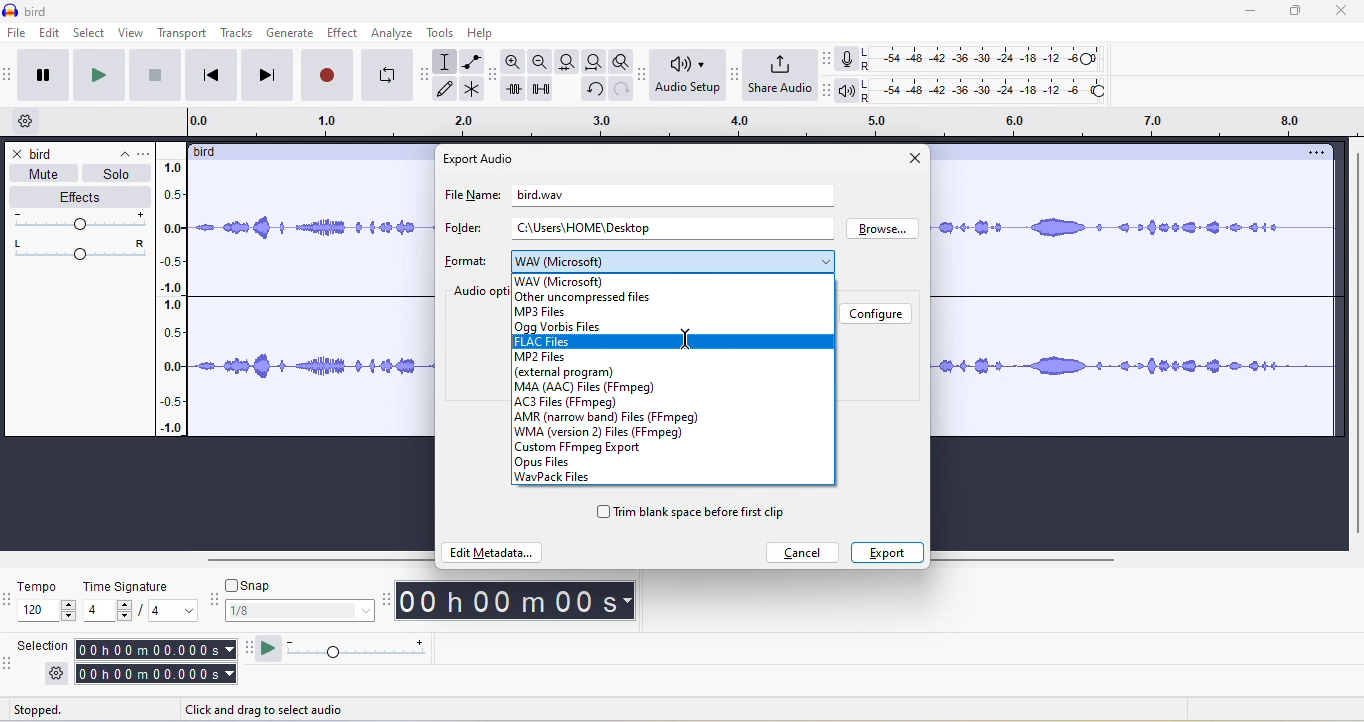 The image size is (1364, 722). I want to click on external program, so click(563, 372).